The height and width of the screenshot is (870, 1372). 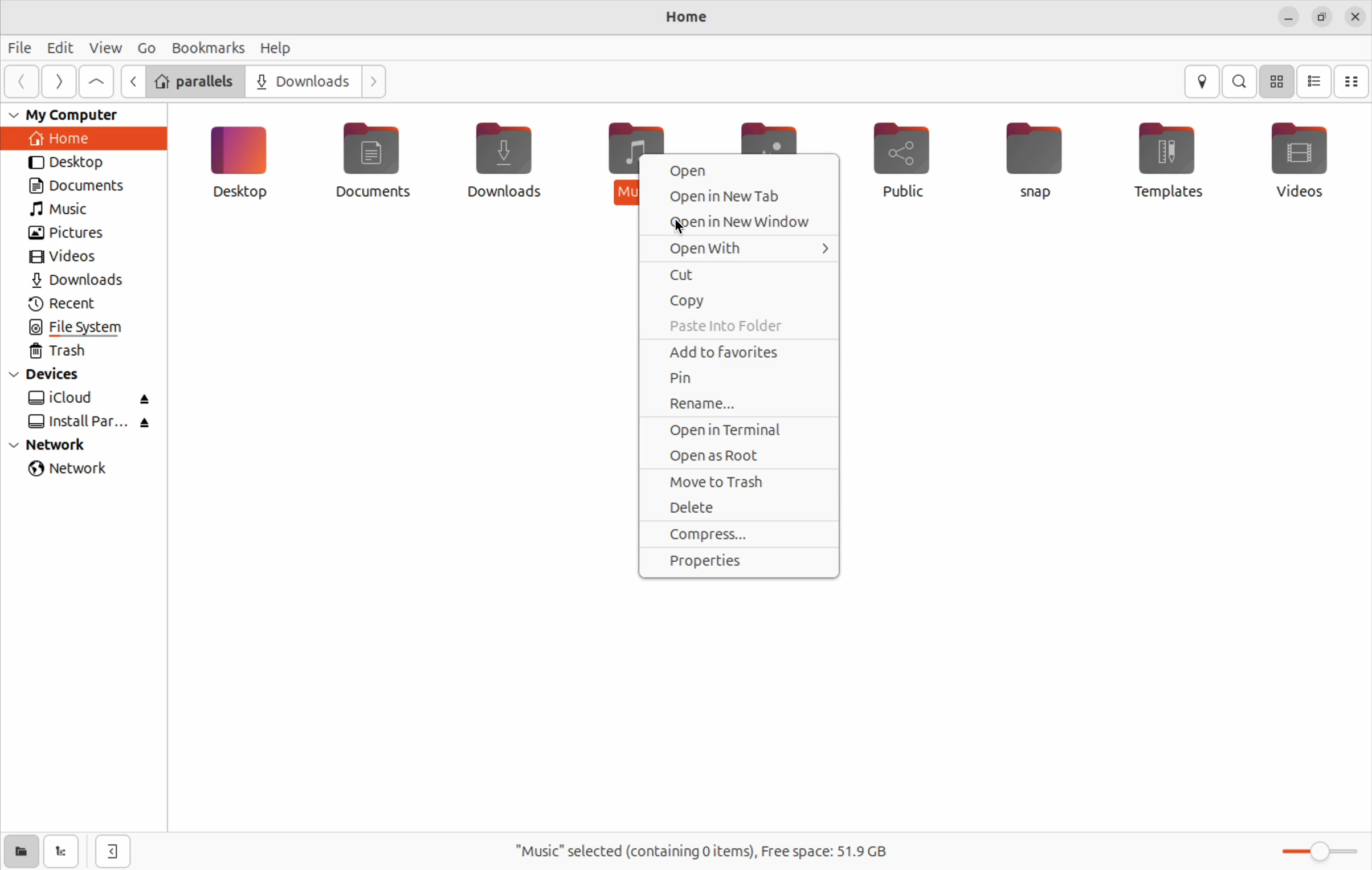 What do you see at coordinates (69, 353) in the screenshot?
I see `trash` at bounding box center [69, 353].